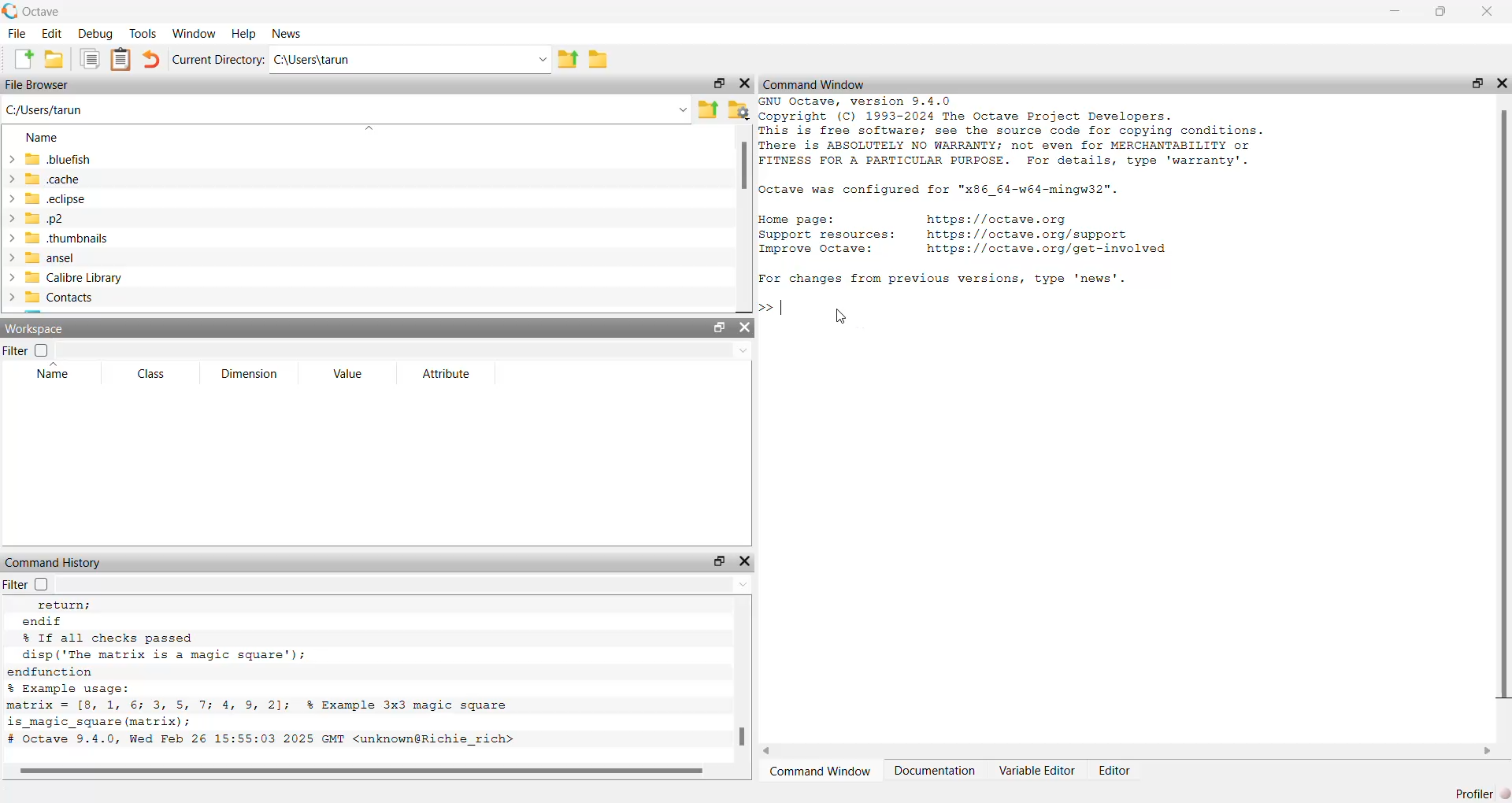 Image resolution: width=1512 pixels, height=803 pixels. Describe the element at coordinates (541, 59) in the screenshot. I see `Dropdown` at that location.